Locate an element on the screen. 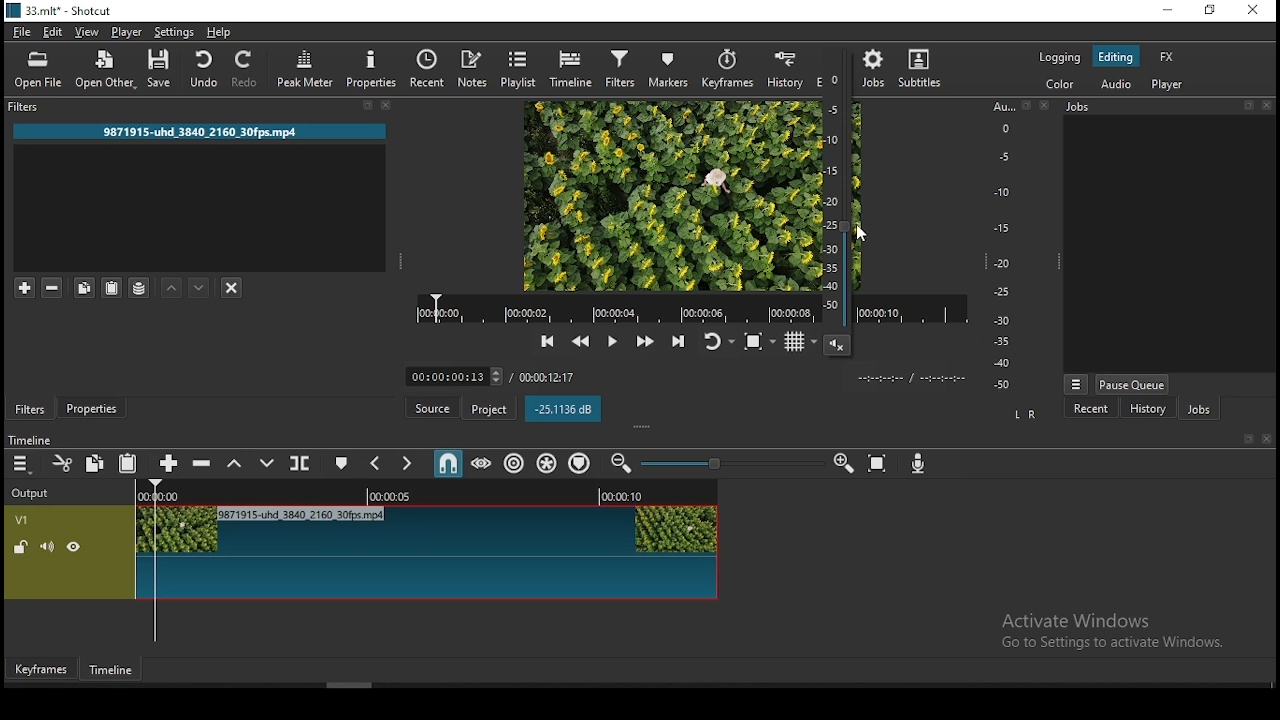 This screenshot has height=720, width=1280. copy selected filter is located at coordinates (81, 286).